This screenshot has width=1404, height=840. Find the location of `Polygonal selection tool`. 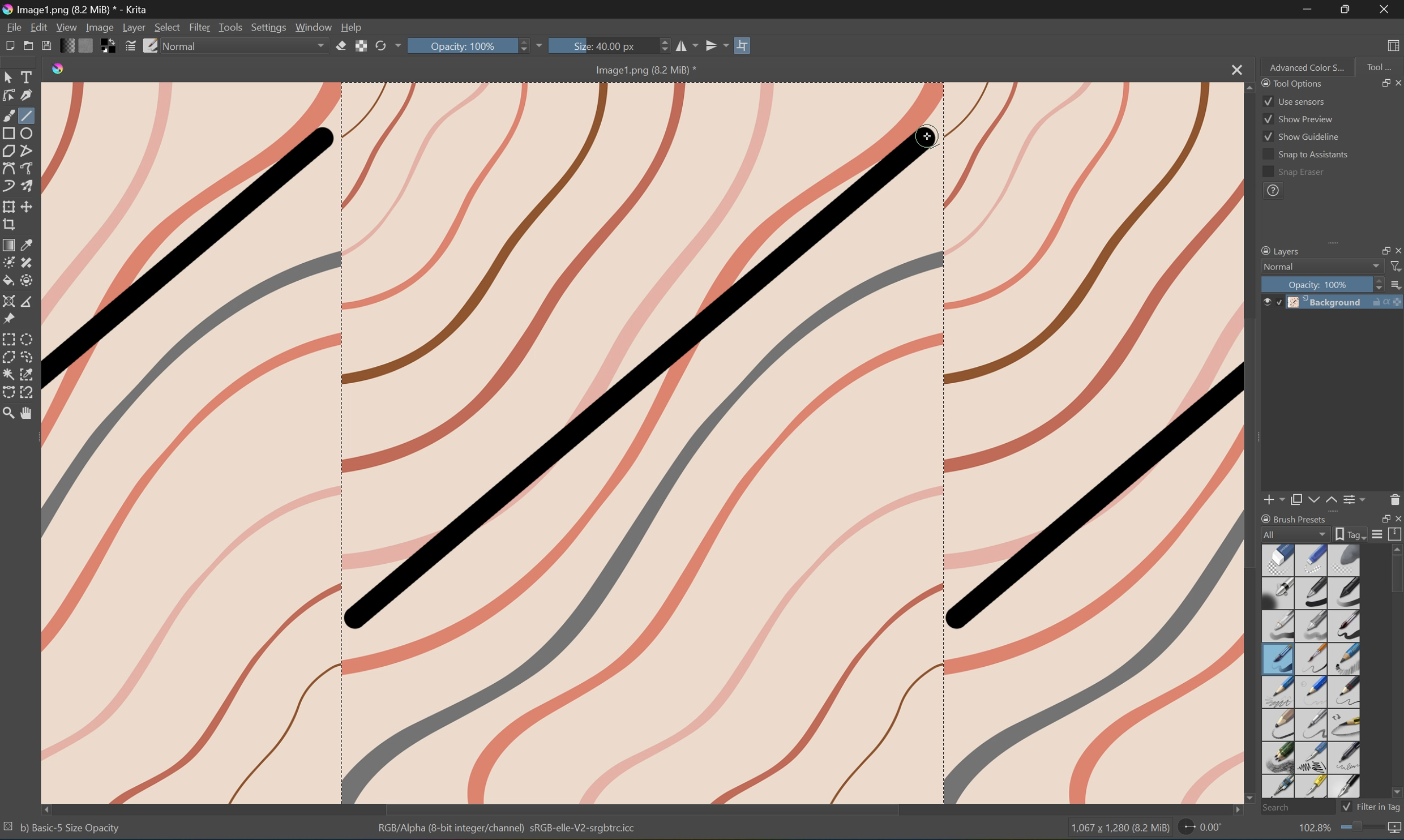

Polygonal selection tool is located at coordinates (9, 357).